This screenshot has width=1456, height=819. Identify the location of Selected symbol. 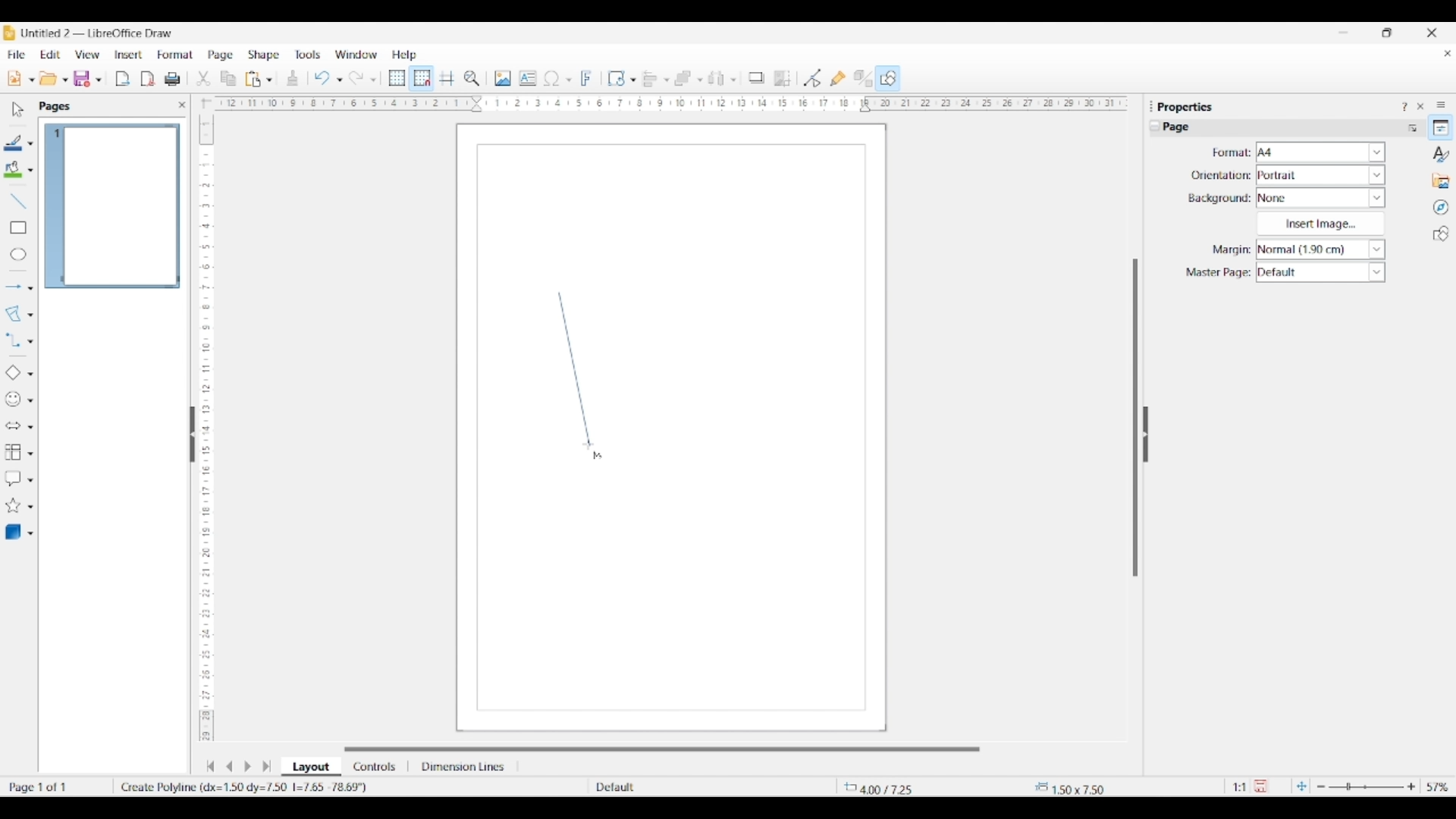
(14, 400).